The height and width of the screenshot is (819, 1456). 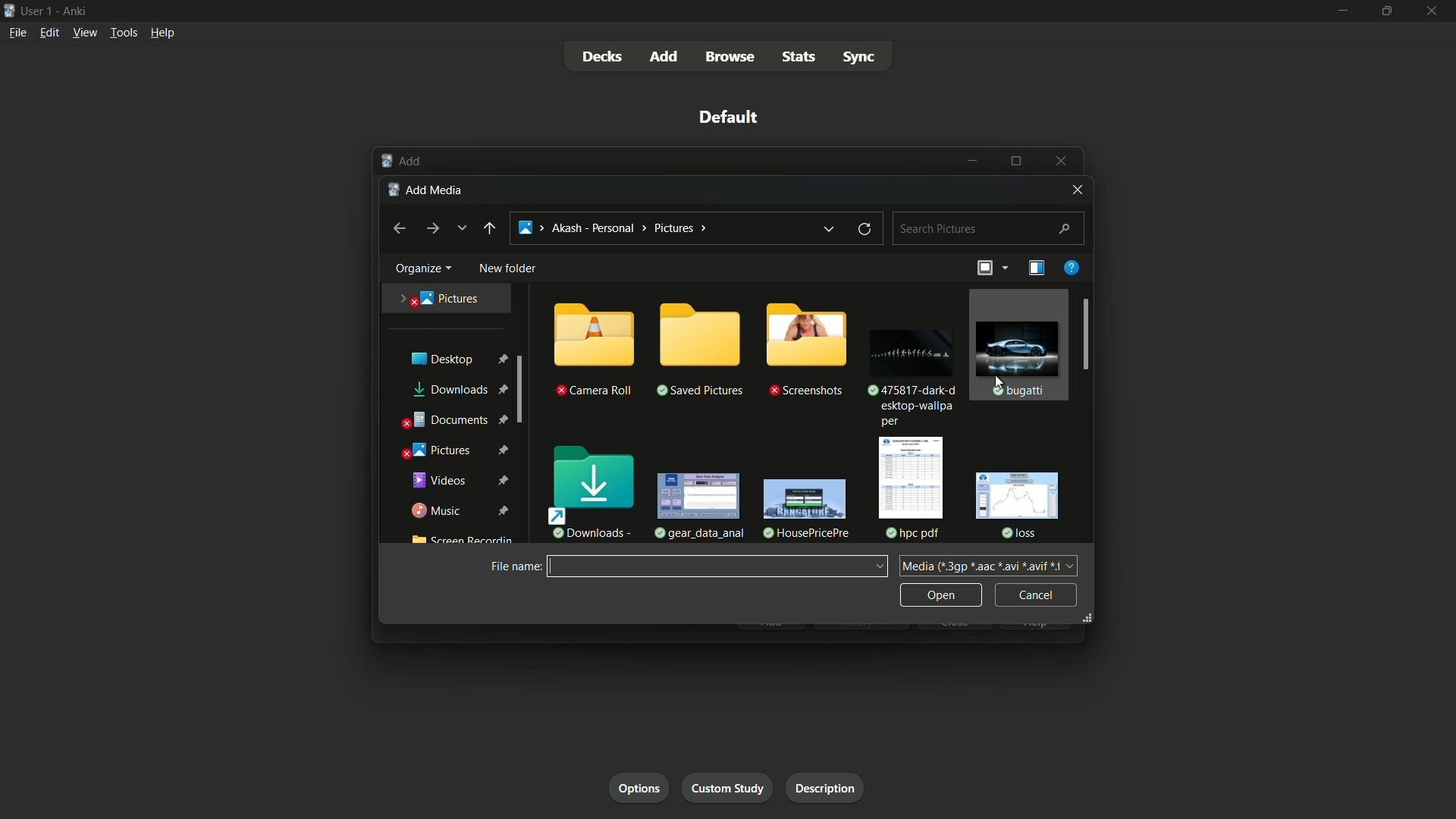 I want to click on Close, so click(x=1062, y=160).